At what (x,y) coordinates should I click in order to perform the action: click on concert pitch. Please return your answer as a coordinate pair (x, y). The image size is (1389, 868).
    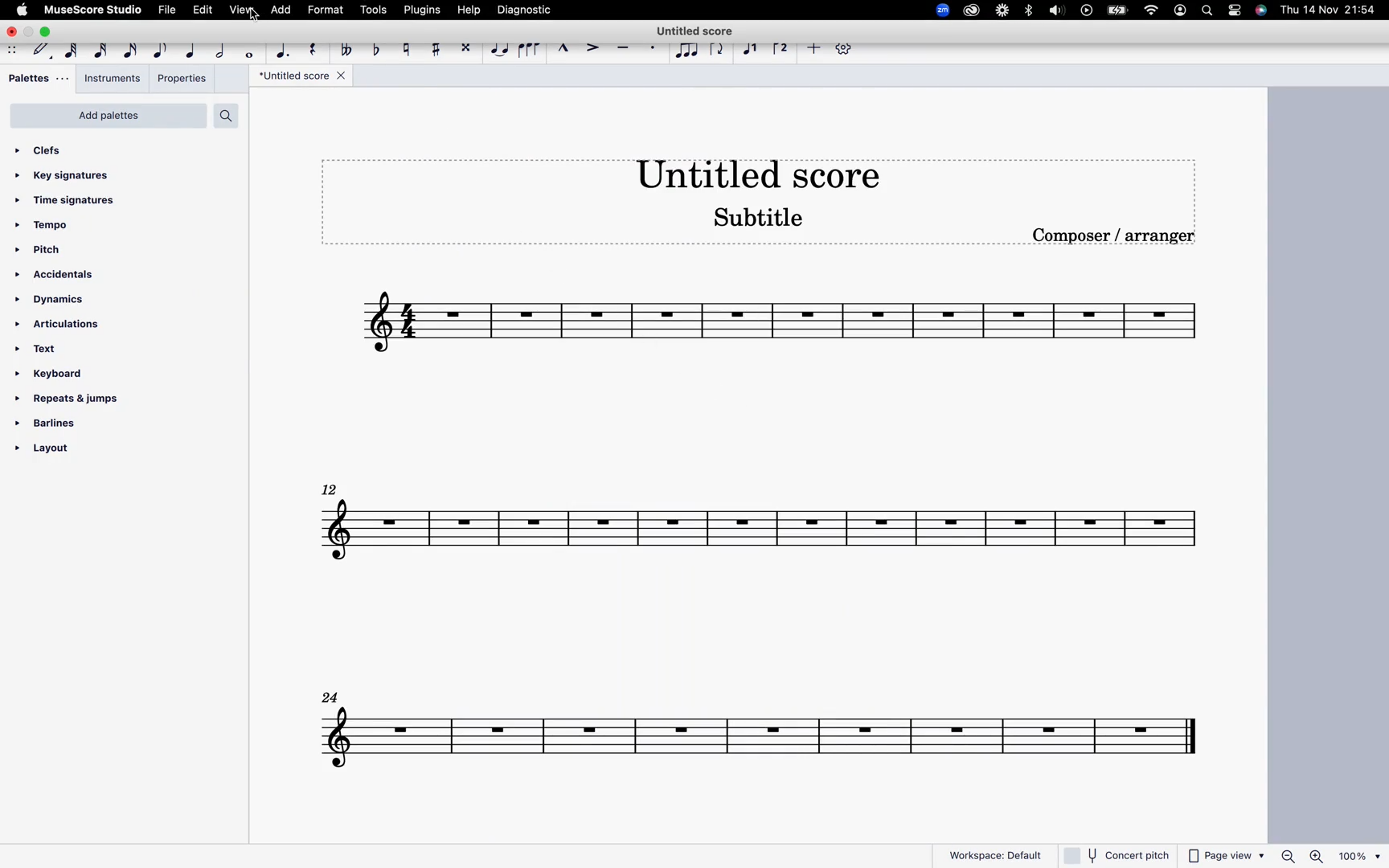
    Looking at the image, I should click on (1117, 854).